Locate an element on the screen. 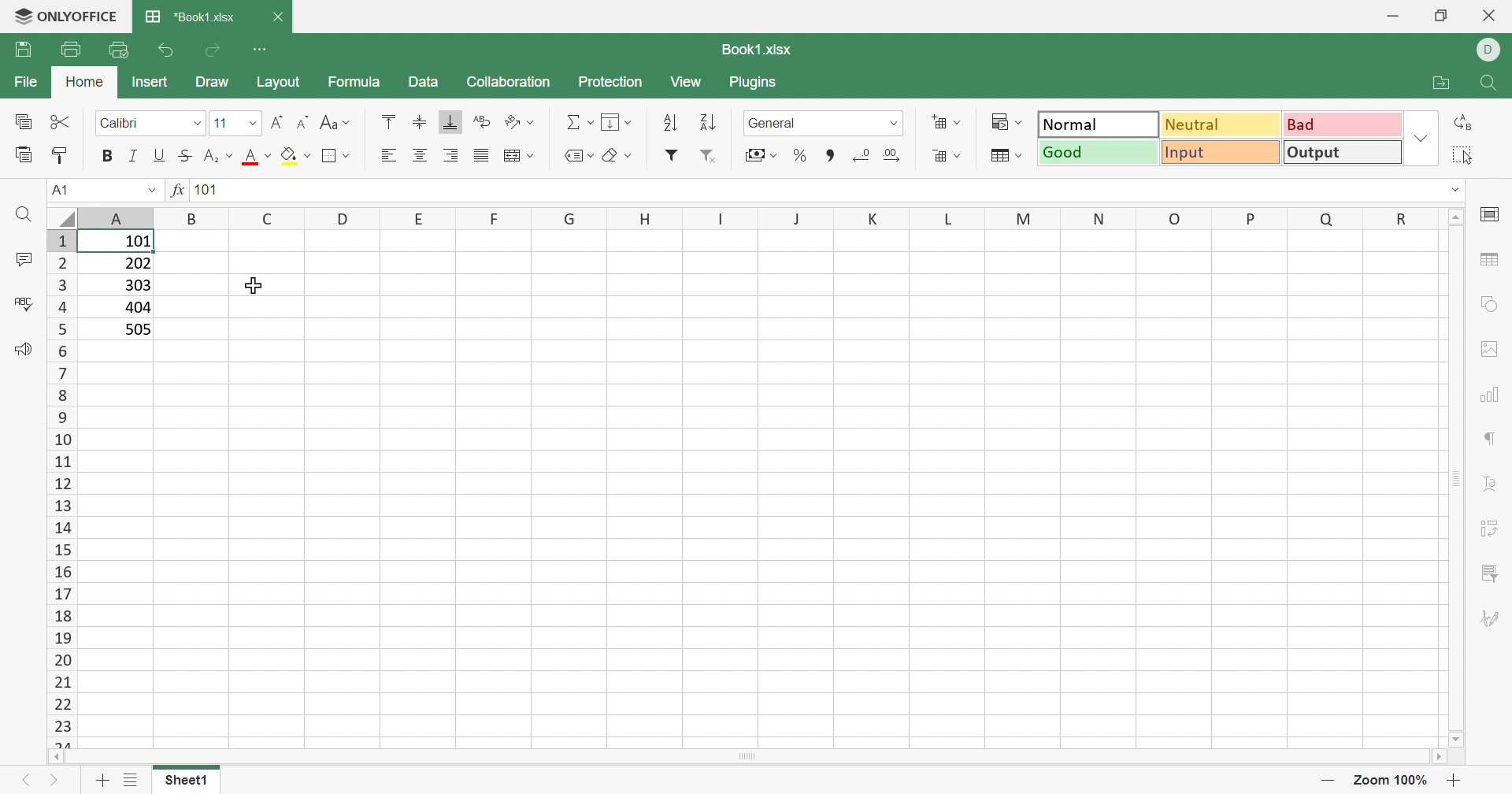 The height and width of the screenshot is (794, 1512). Insert cells is located at coordinates (947, 123).